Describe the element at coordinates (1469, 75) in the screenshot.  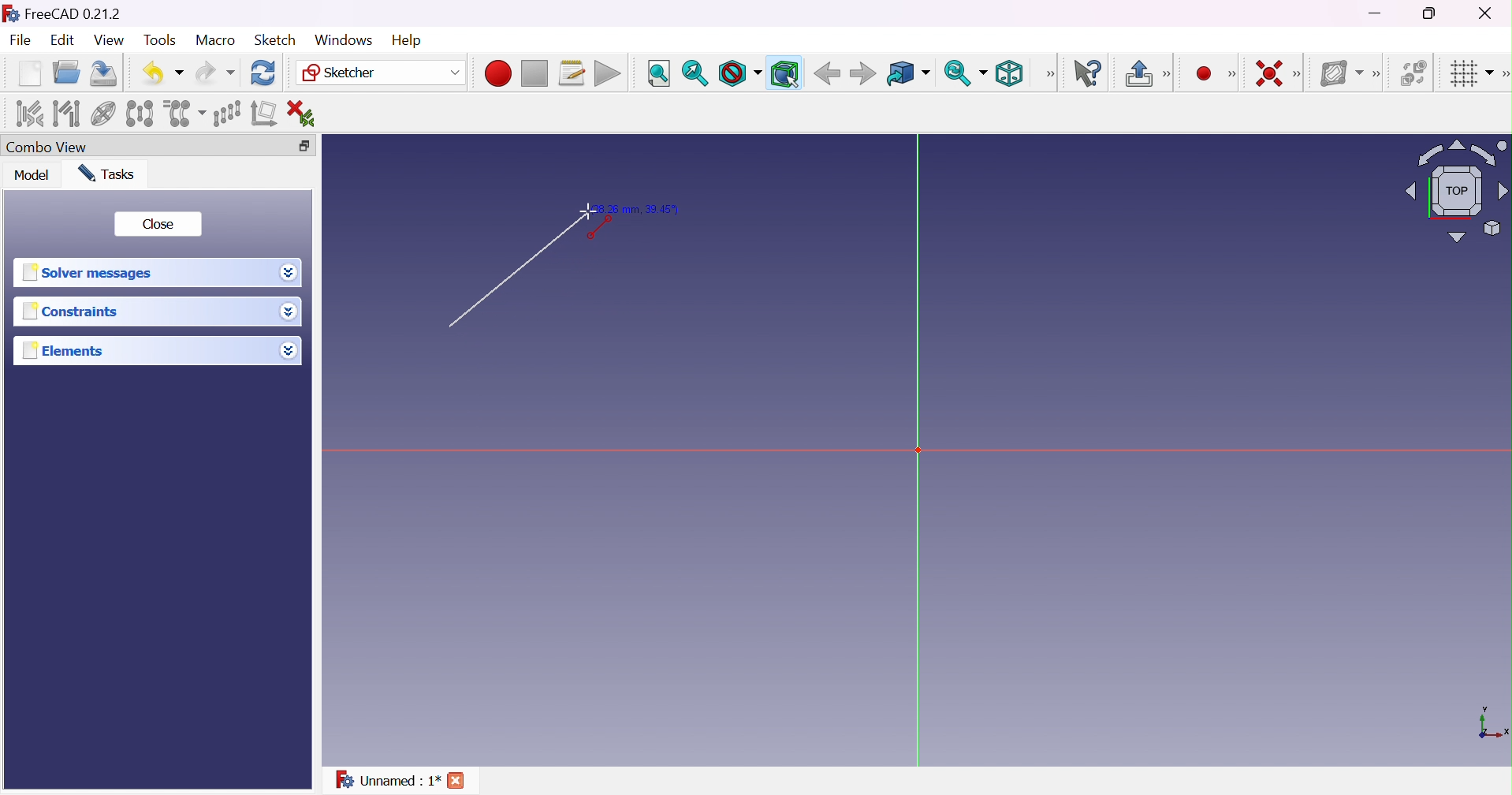
I see `Toggle grid` at that location.